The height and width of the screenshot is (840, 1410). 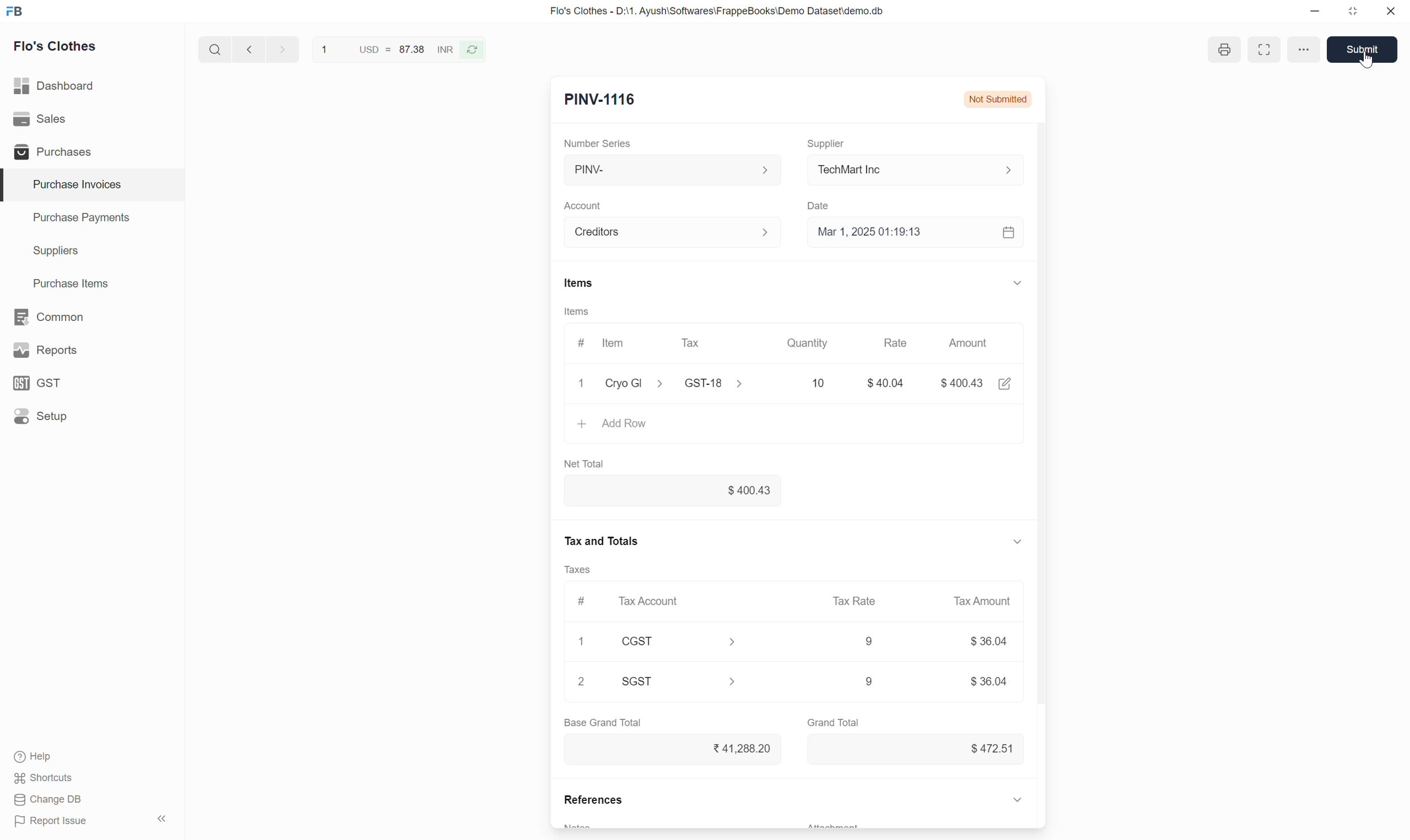 What do you see at coordinates (835, 721) in the screenshot?
I see `Grand Total` at bounding box center [835, 721].